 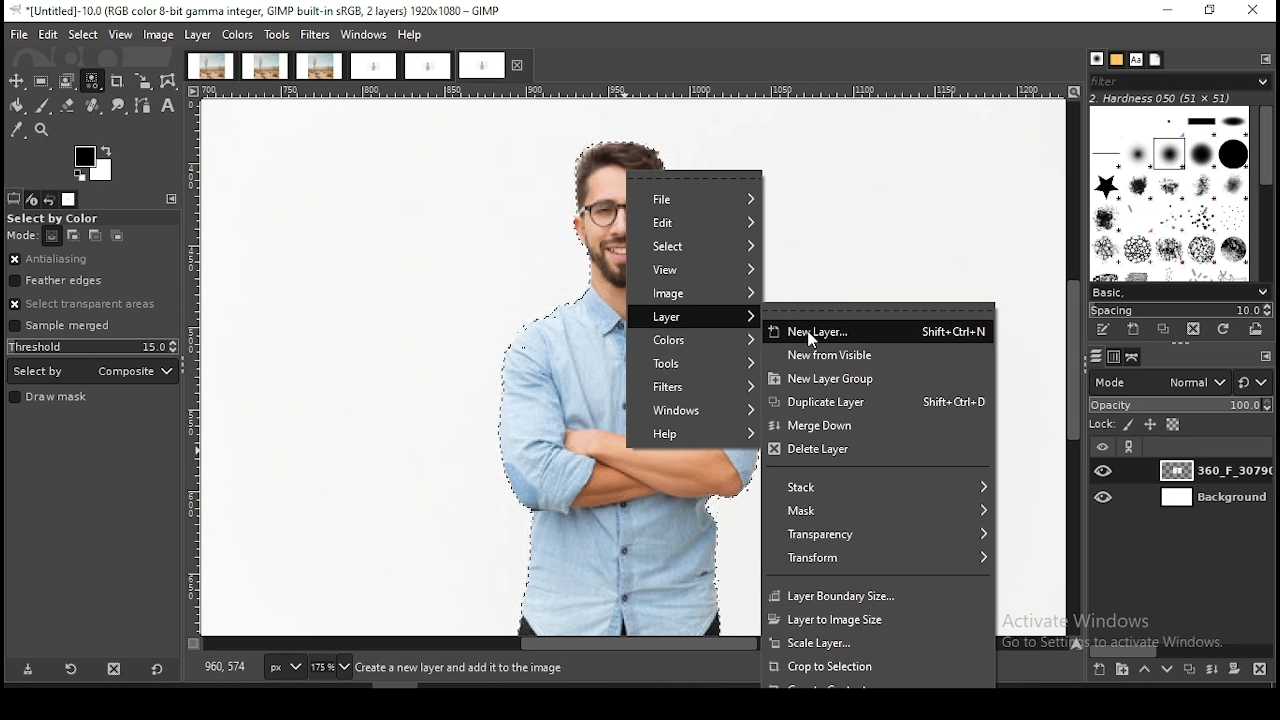 I want to click on device status, so click(x=32, y=200).